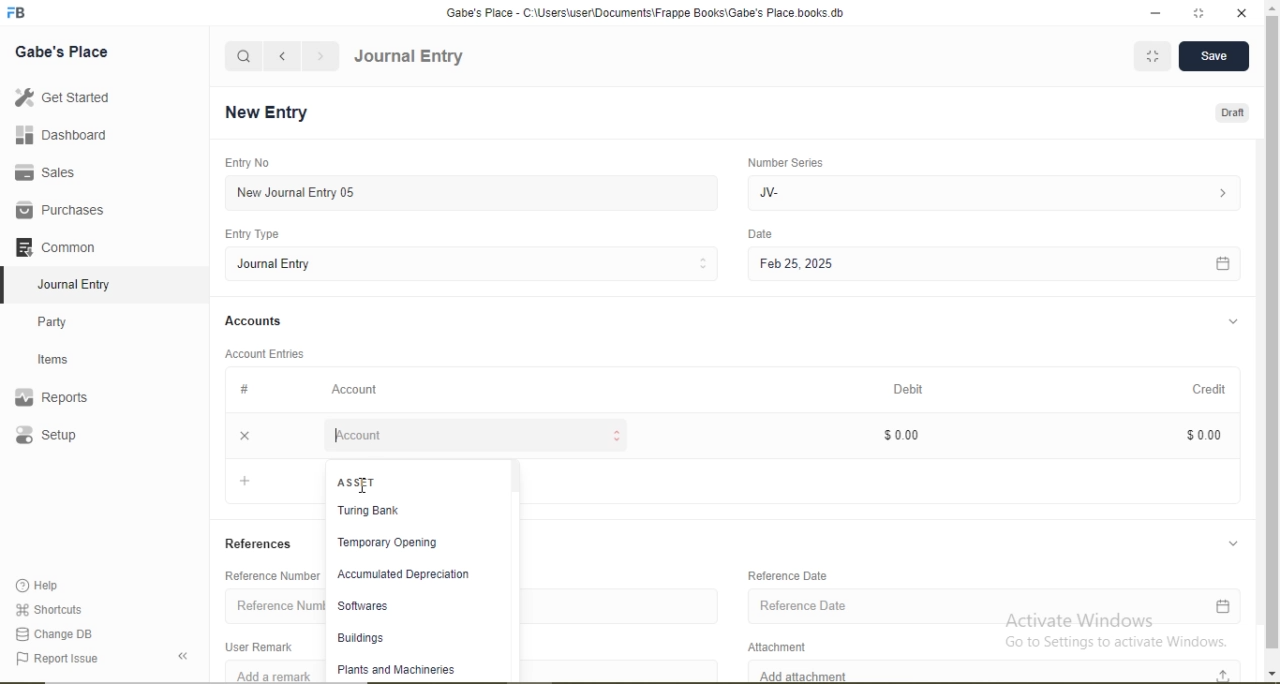 This screenshot has width=1280, height=684. I want to click on Gabe's Place - C:\Users\useriDocuments\Frappe Books\Gabe's Place books.db, so click(655, 12).